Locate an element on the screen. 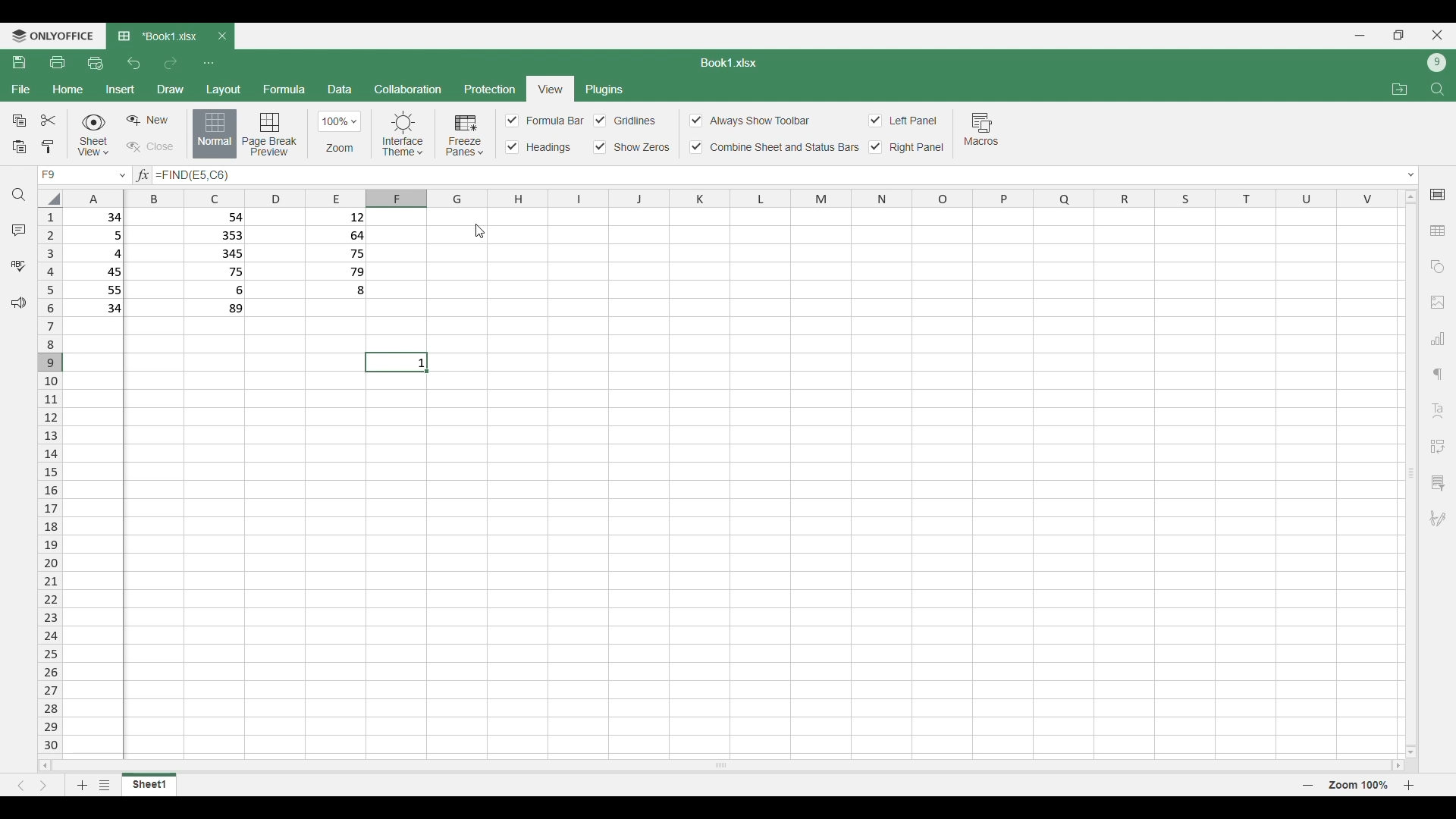  Plugins menu  is located at coordinates (604, 89).